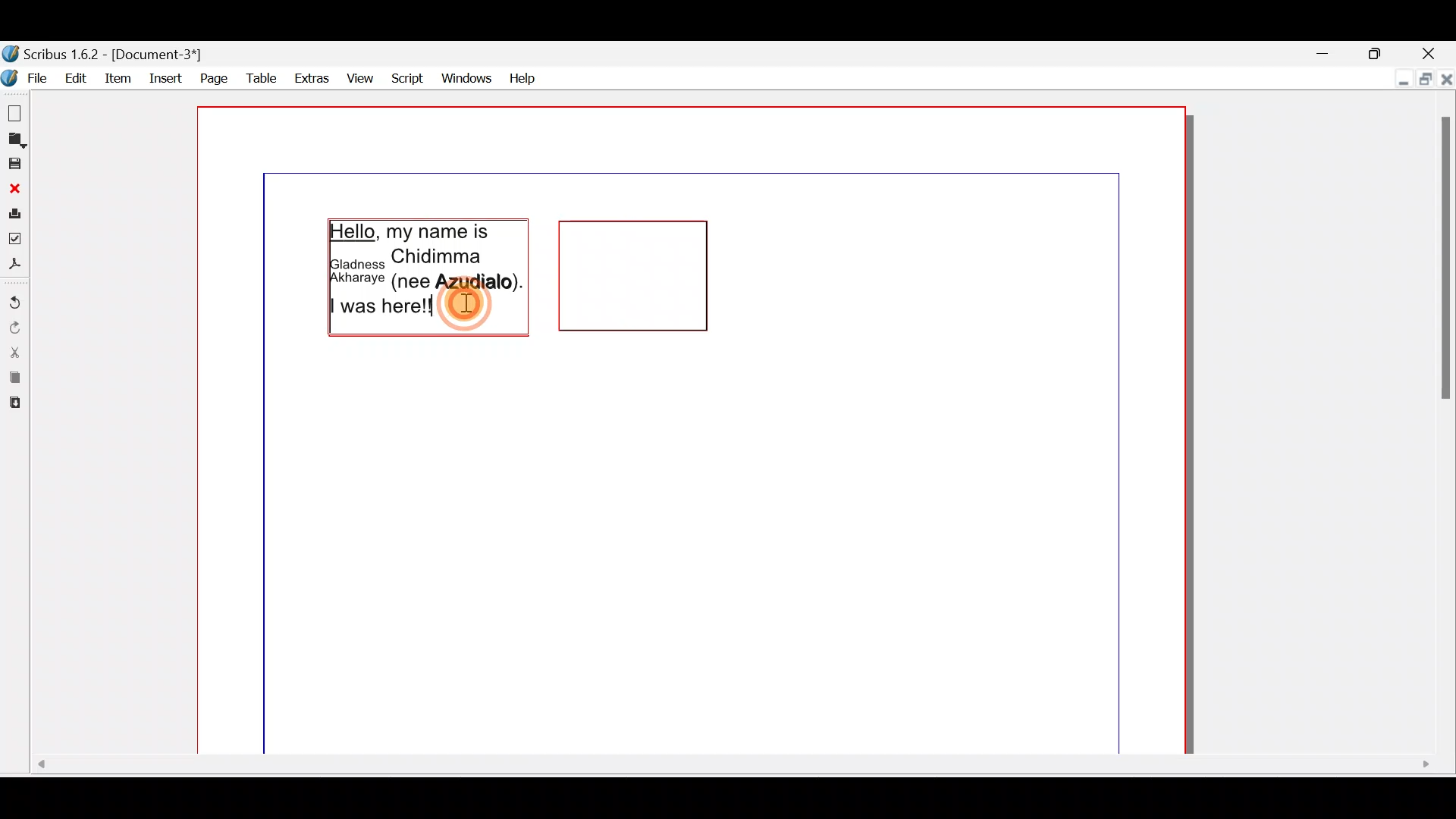 The width and height of the screenshot is (1456, 819). What do you see at coordinates (1378, 51) in the screenshot?
I see `Maximise` at bounding box center [1378, 51].